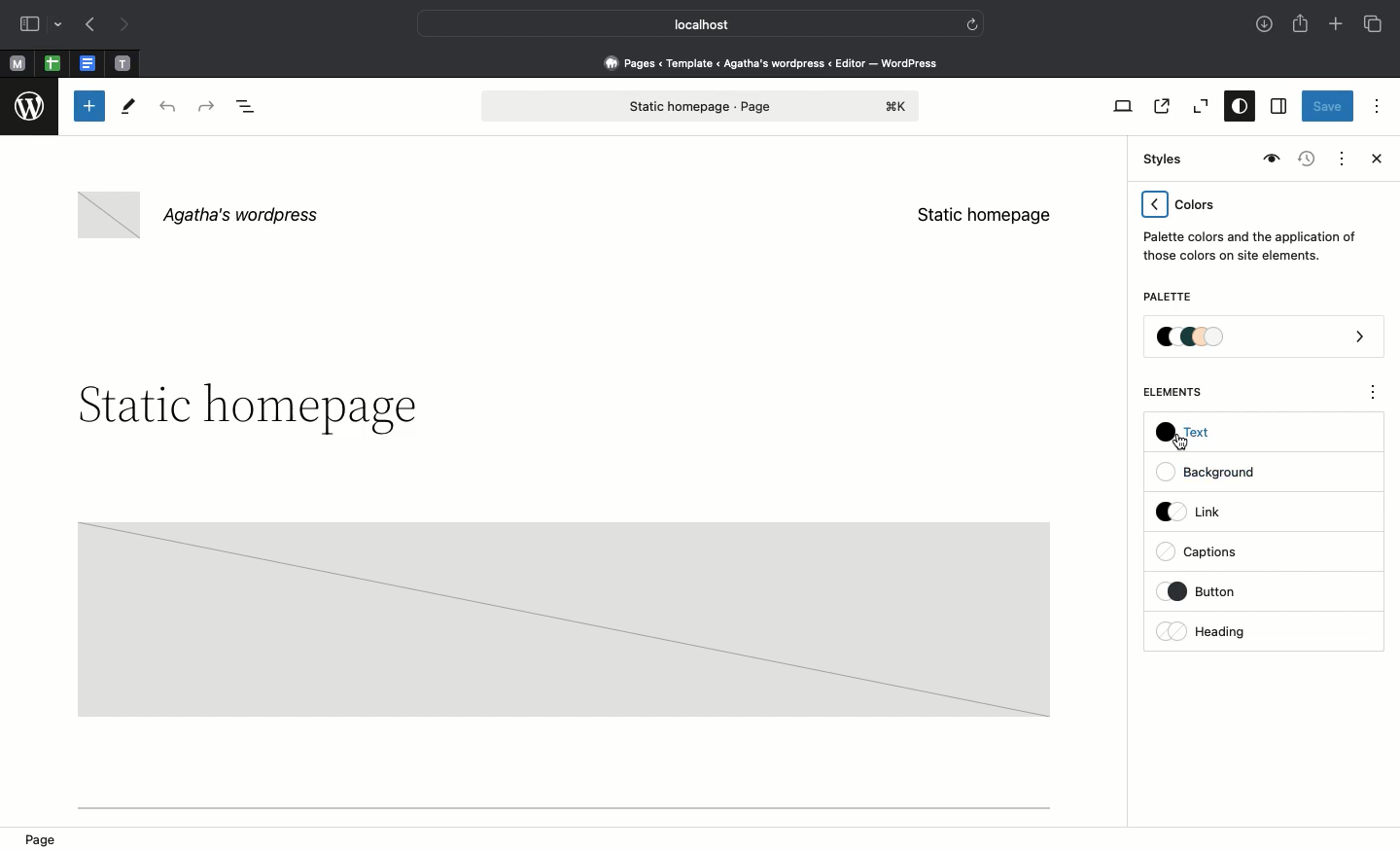  Describe the element at coordinates (1197, 511) in the screenshot. I see `Link` at that location.